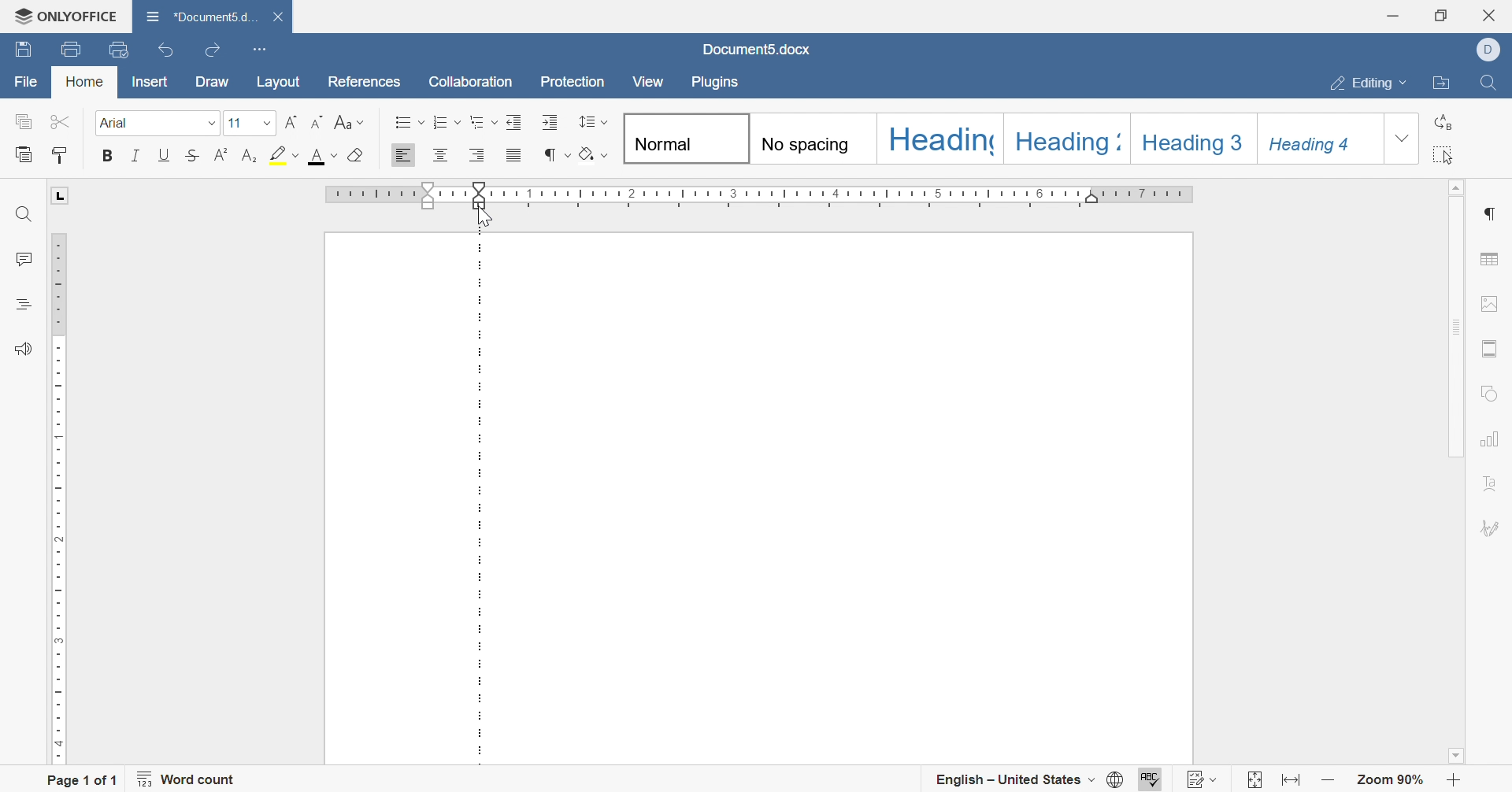 This screenshot has height=792, width=1512. What do you see at coordinates (165, 49) in the screenshot?
I see `undo` at bounding box center [165, 49].